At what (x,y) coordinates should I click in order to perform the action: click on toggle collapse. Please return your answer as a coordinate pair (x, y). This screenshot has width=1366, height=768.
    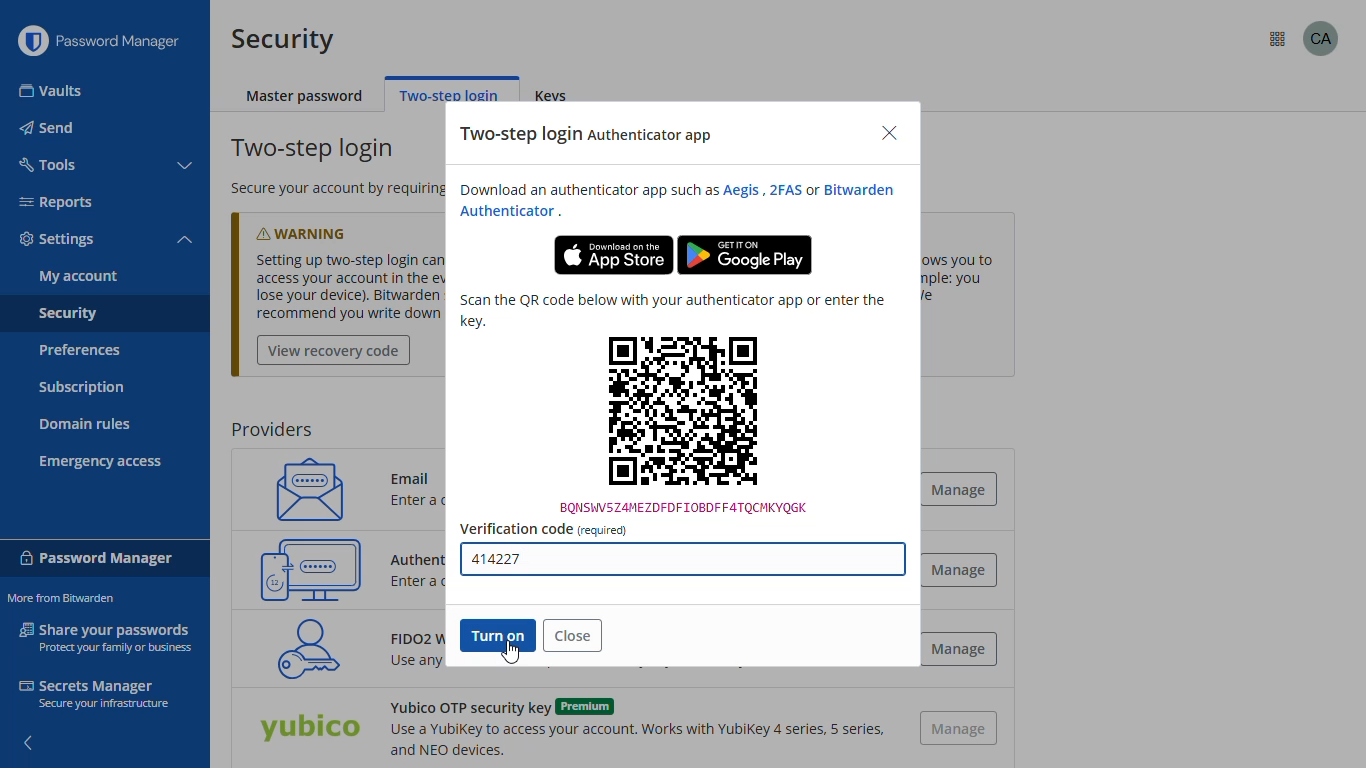
    Looking at the image, I should click on (187, 166).